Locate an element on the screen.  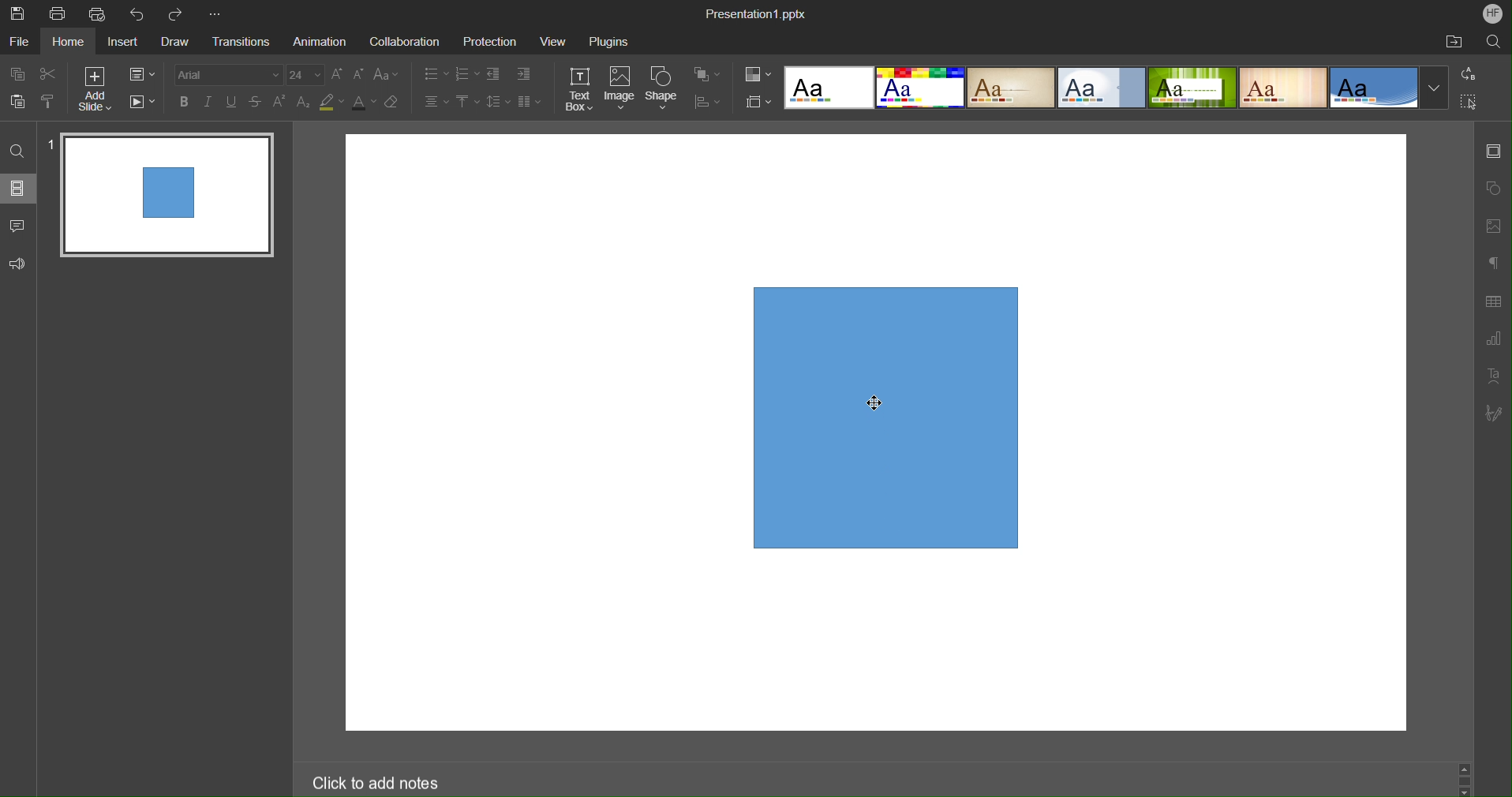
Underline is located at coordinates (230, 102).